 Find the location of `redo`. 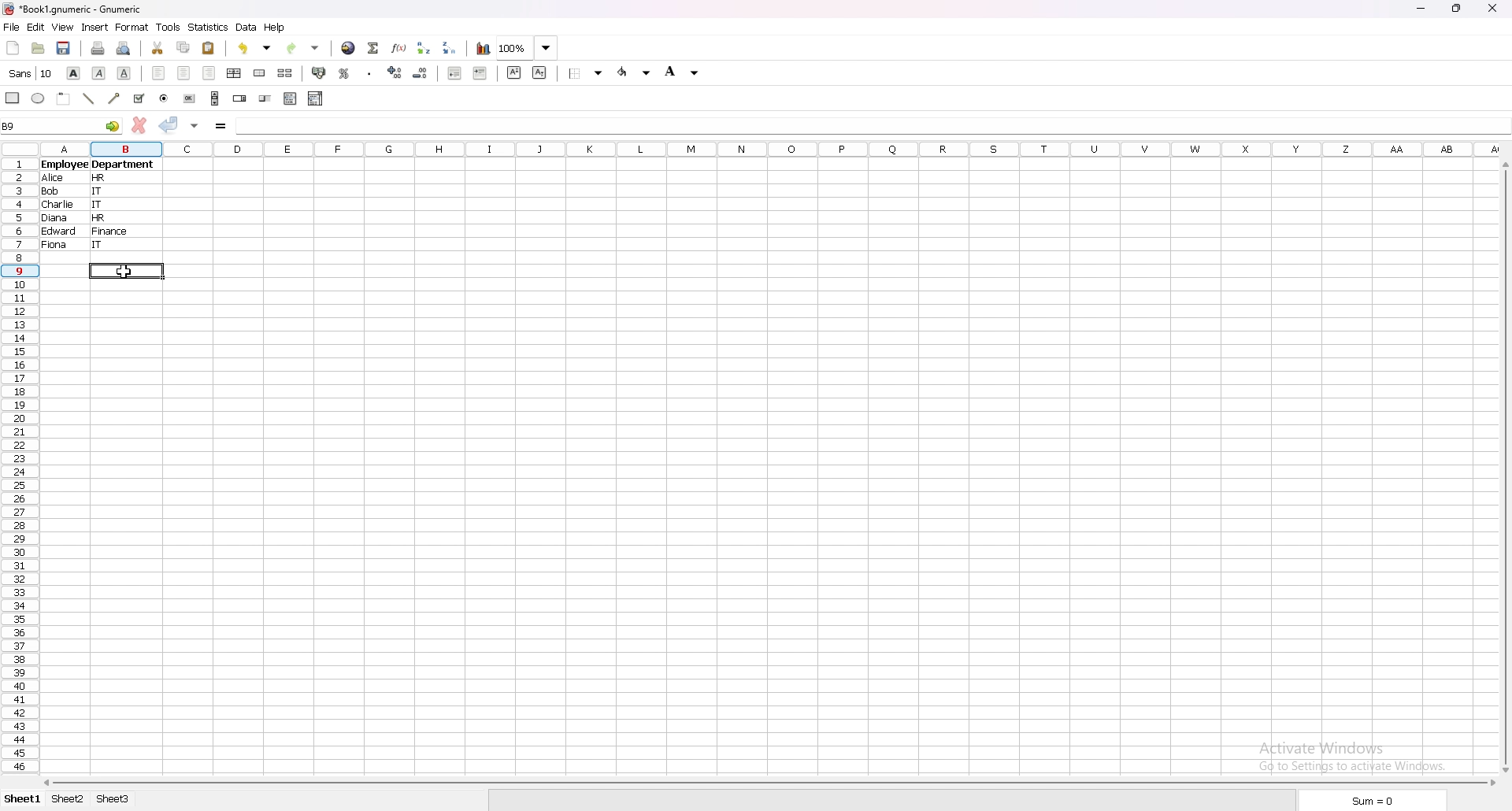

redo is located at coordinates (304, 46).